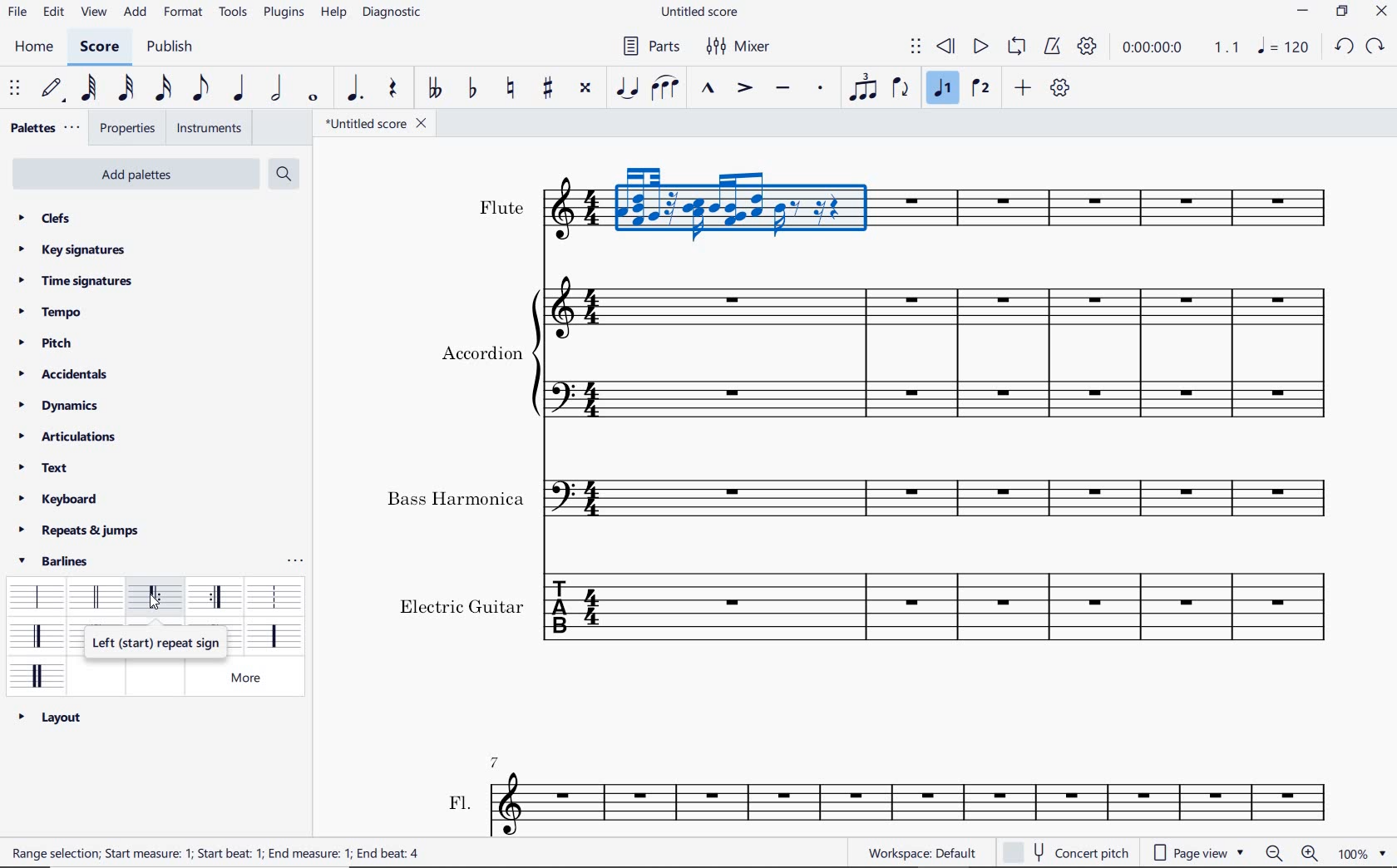  I want to click on voice 1, so click(944, 91).